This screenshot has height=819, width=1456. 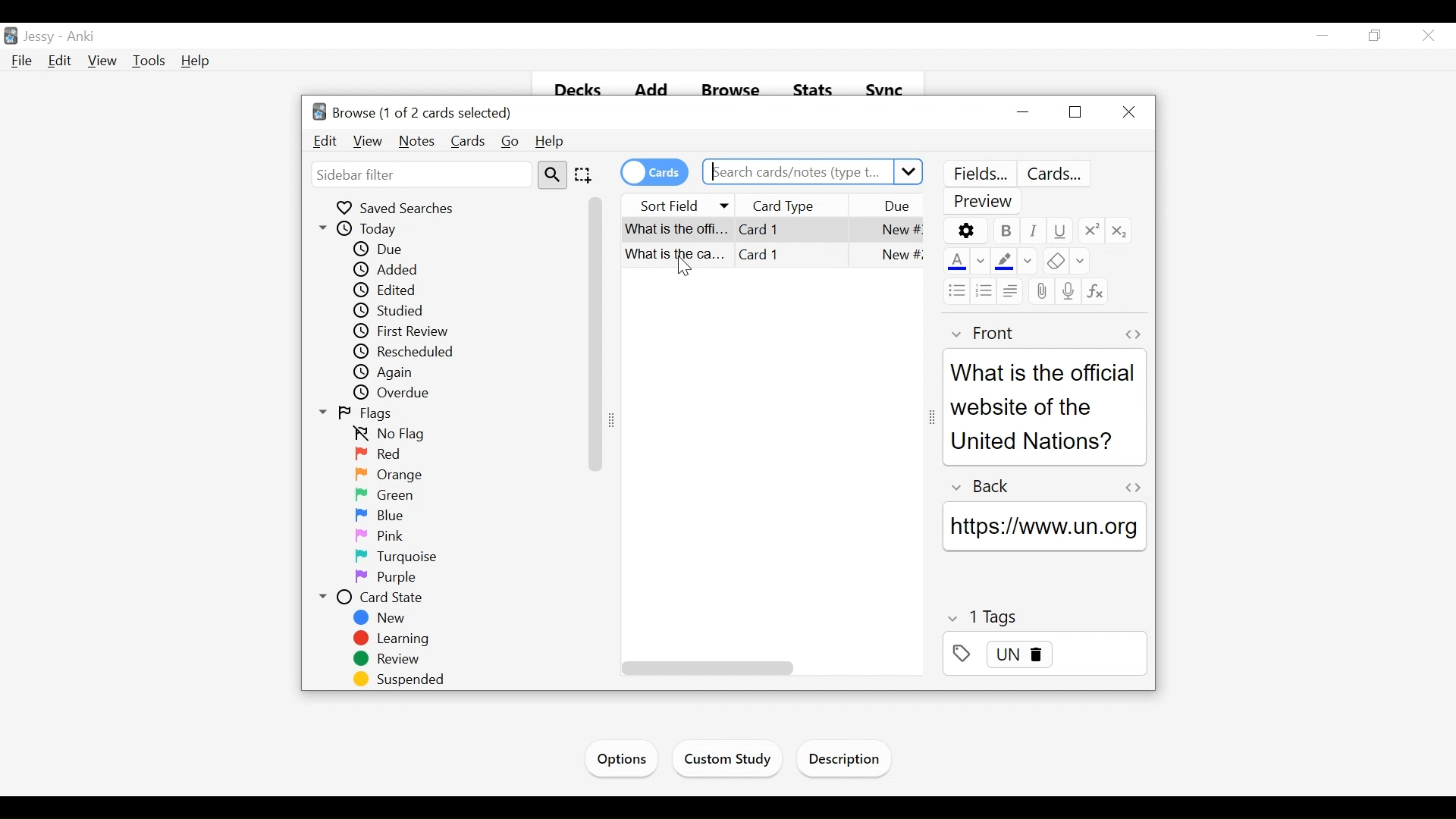 What do you see at coordinates (896, 206) in the screenshot?
I see `Due` at bounding box center [896, 206].